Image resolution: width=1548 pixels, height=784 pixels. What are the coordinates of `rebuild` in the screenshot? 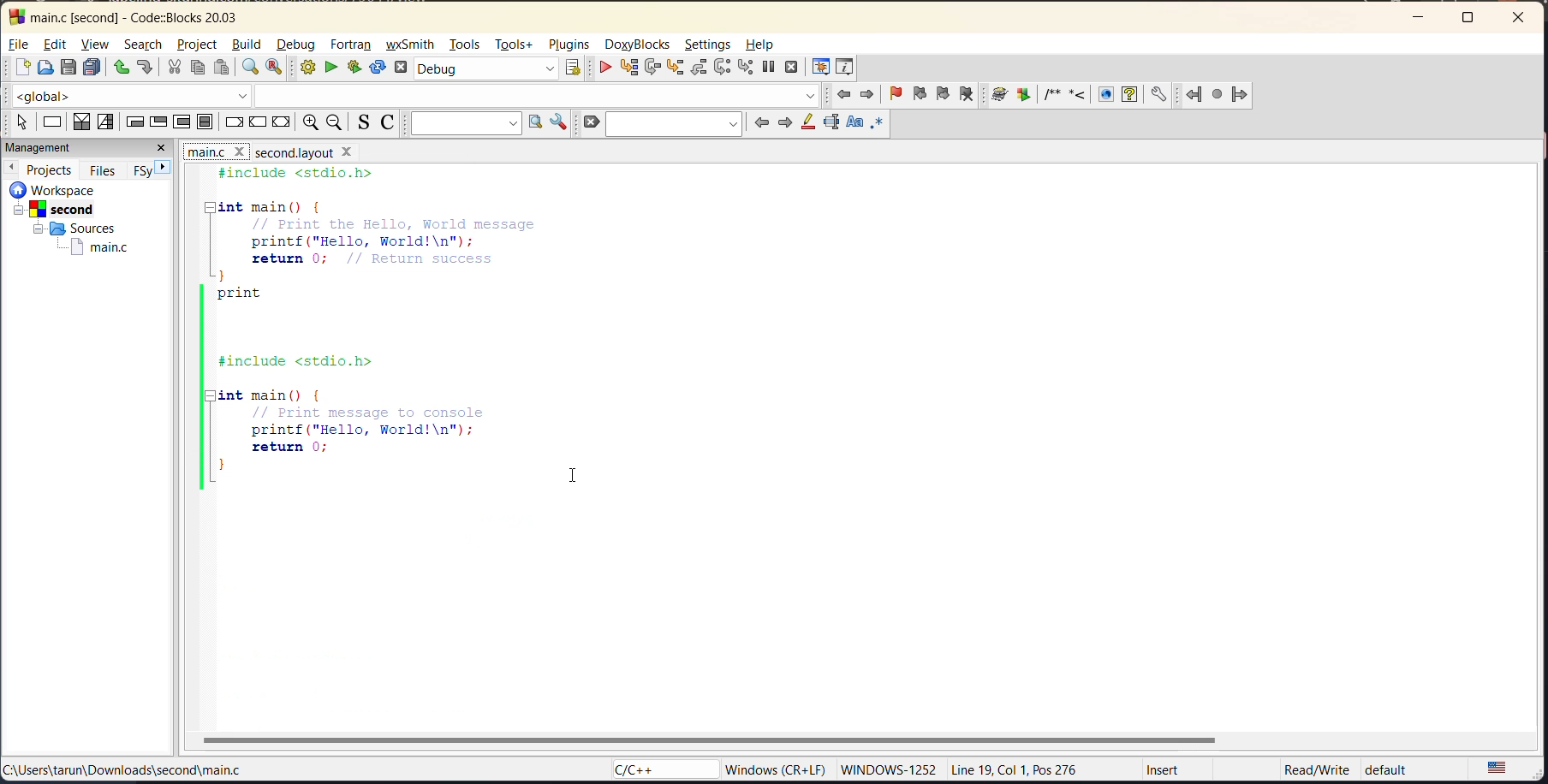 It's located at (378, 68).